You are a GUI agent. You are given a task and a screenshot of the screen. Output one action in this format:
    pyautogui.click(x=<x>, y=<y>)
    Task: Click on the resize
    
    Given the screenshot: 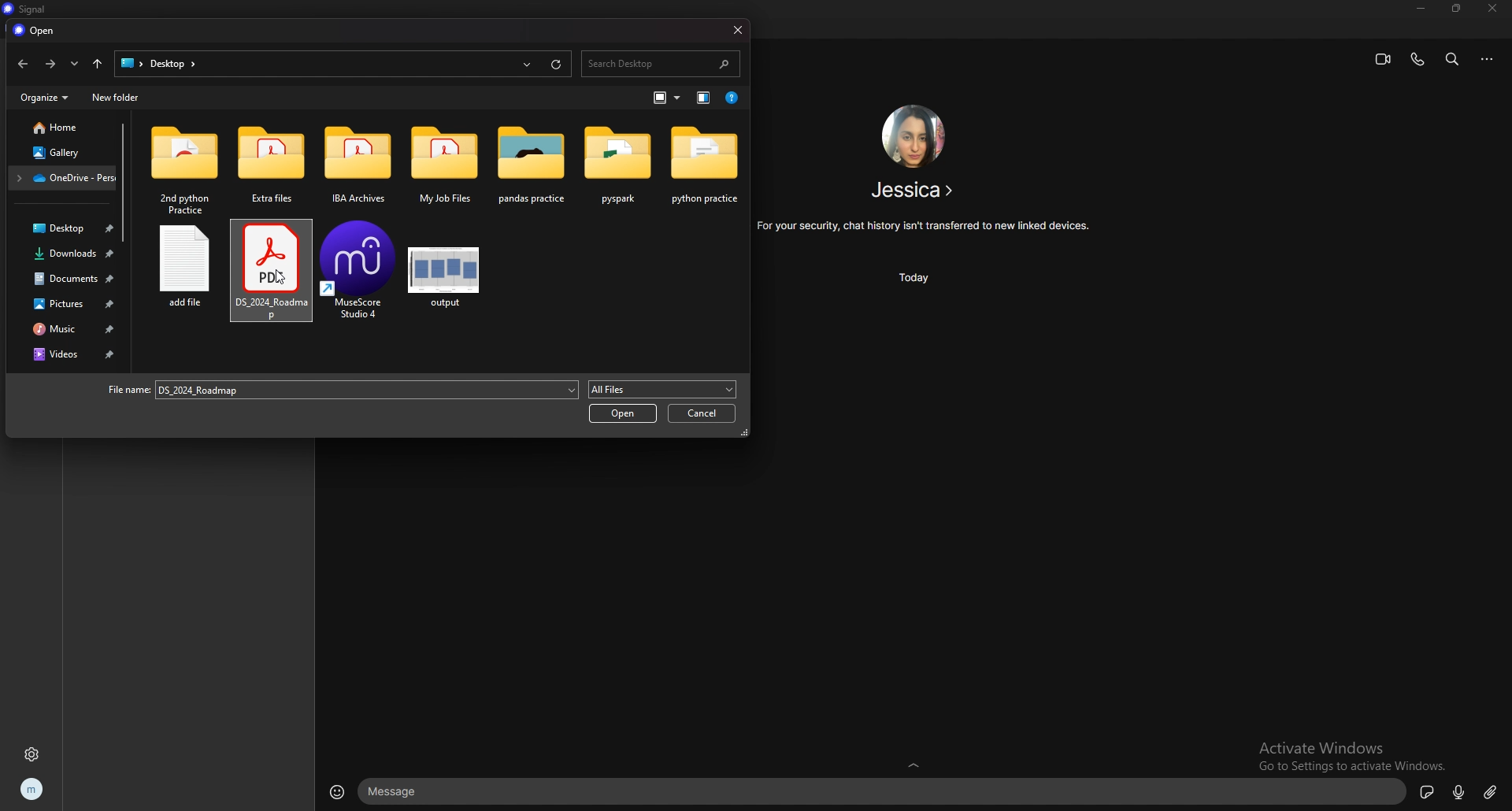 What is the action you would take?
    pyautogui.click(x=1457, y=9)
    